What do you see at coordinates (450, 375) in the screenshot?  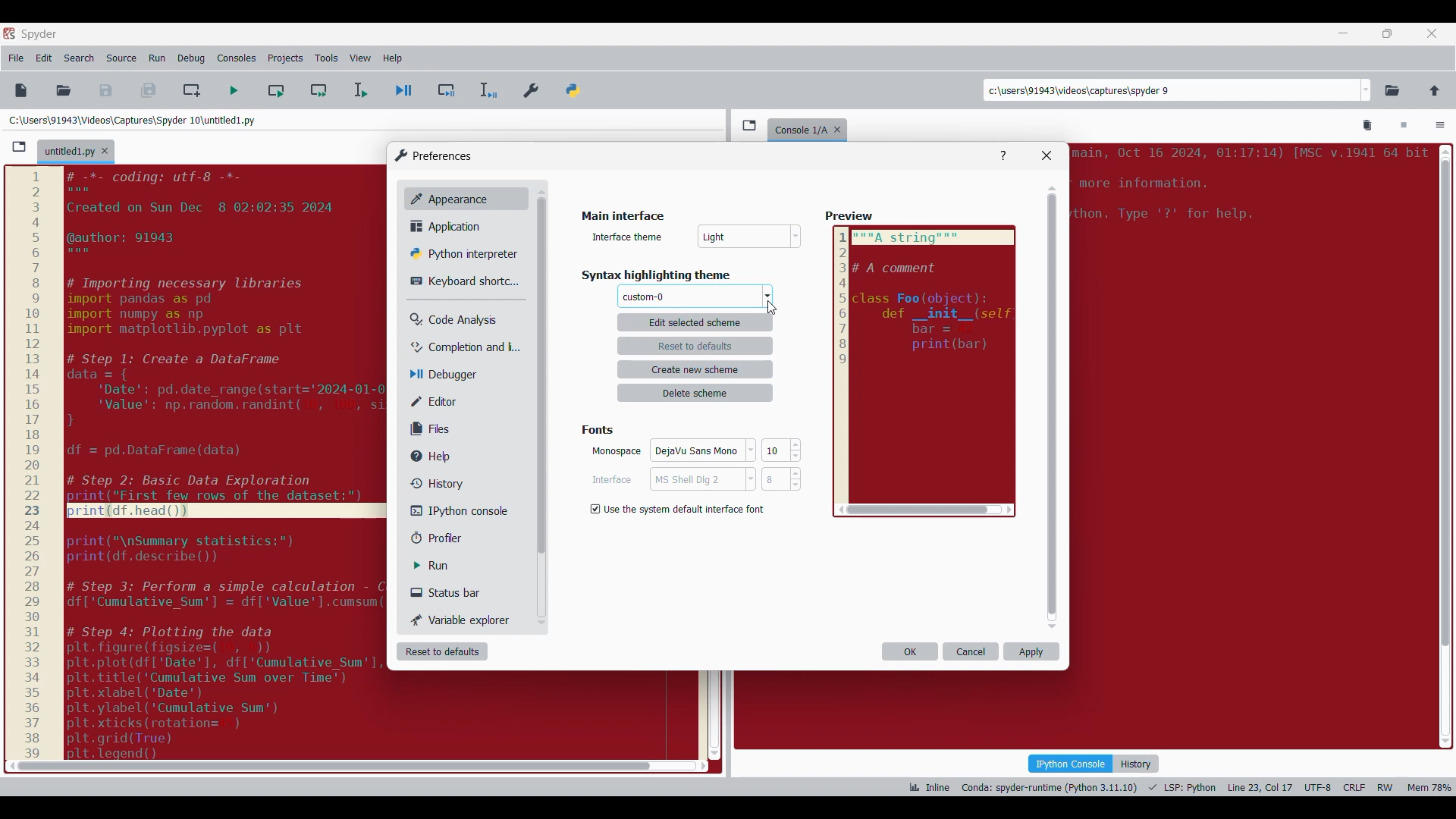 I see `Debugger` at bounding box center [450, 375].